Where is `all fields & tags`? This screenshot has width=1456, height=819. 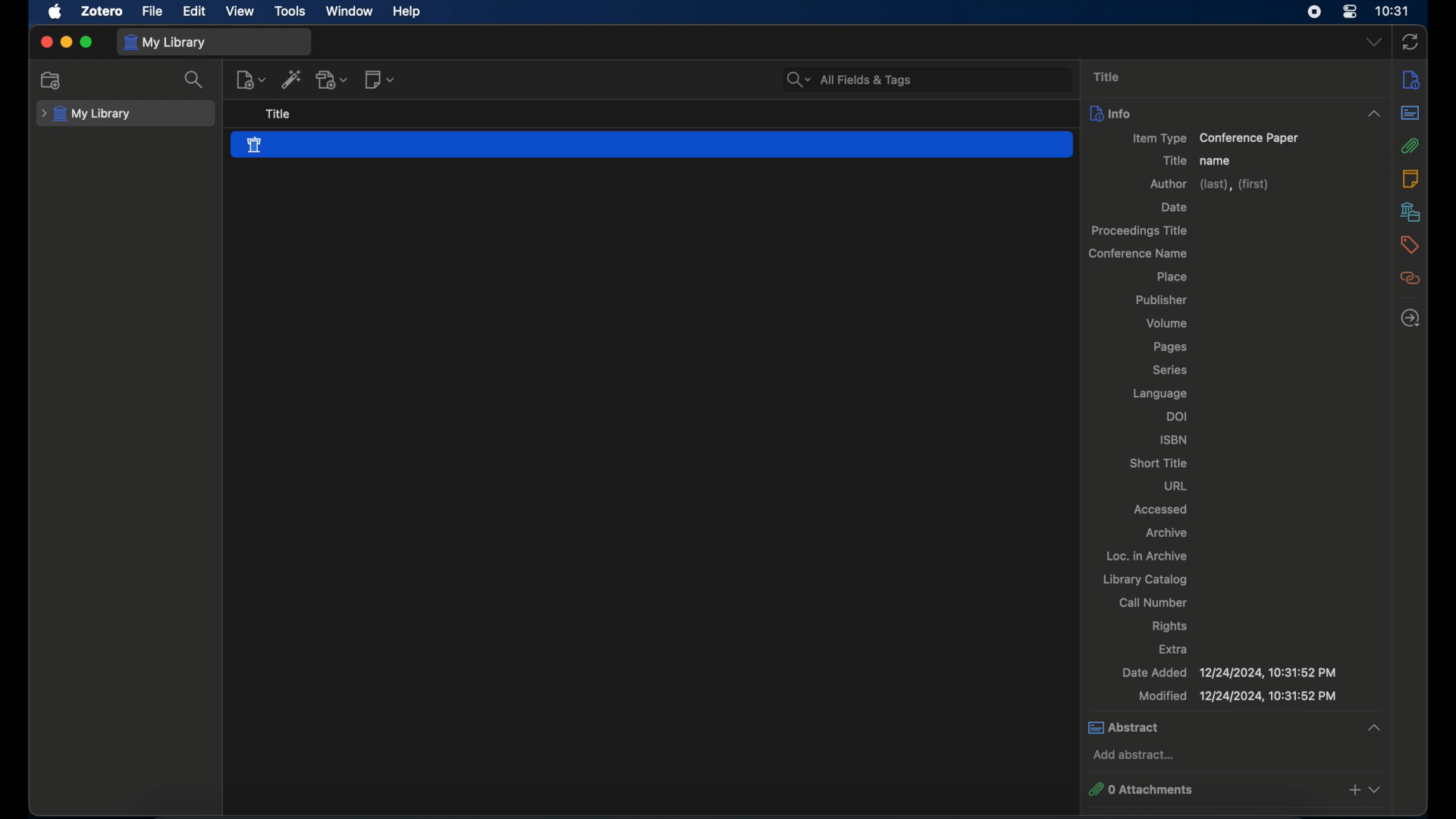
all fields & tags is located at coordinates (849, 79).